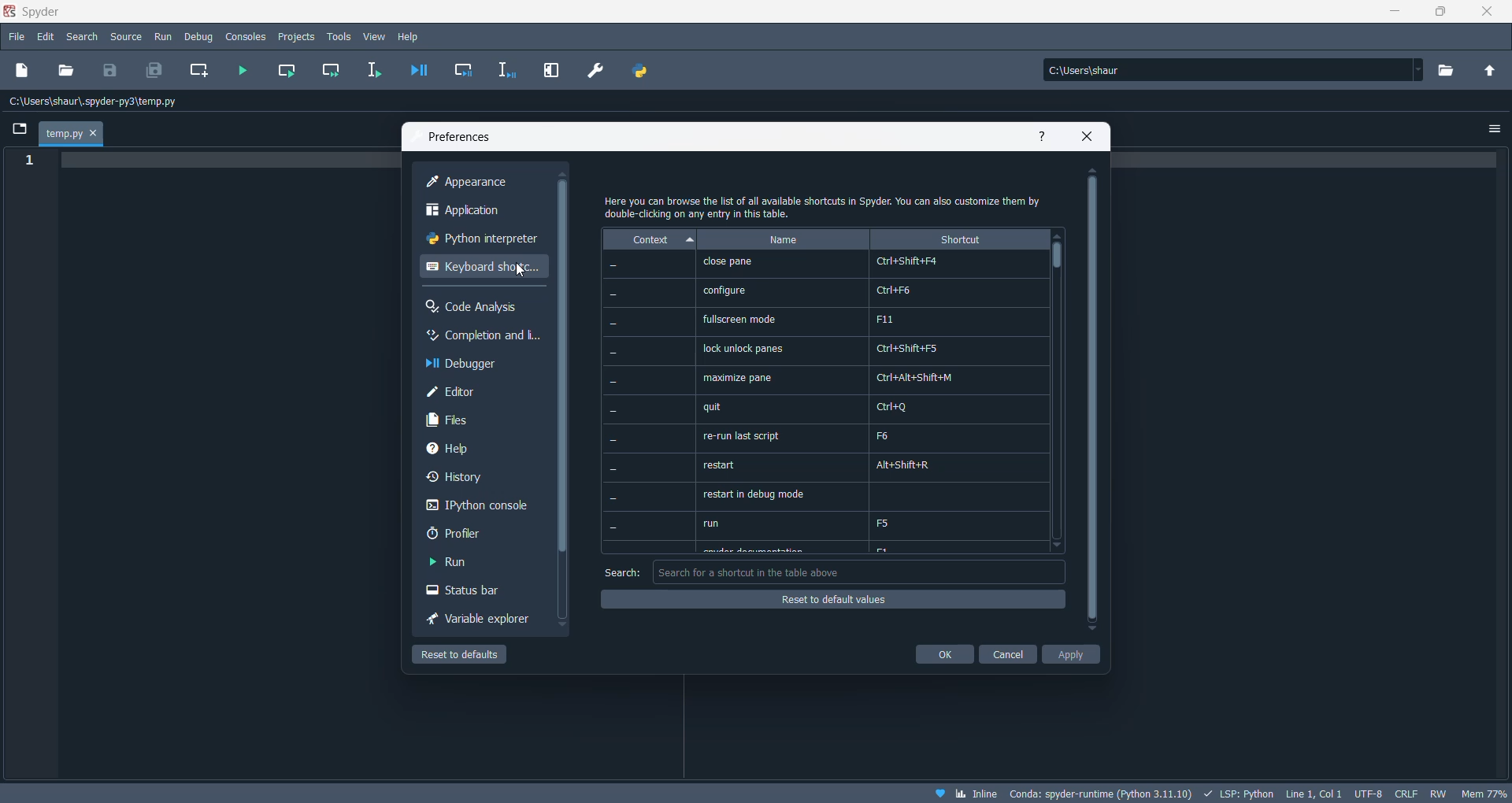 This screenshot has height=803, width=1512. What do you see at coordinates (647, 239) in the screenshot?
I see `context` at bounding box center [647, 239].